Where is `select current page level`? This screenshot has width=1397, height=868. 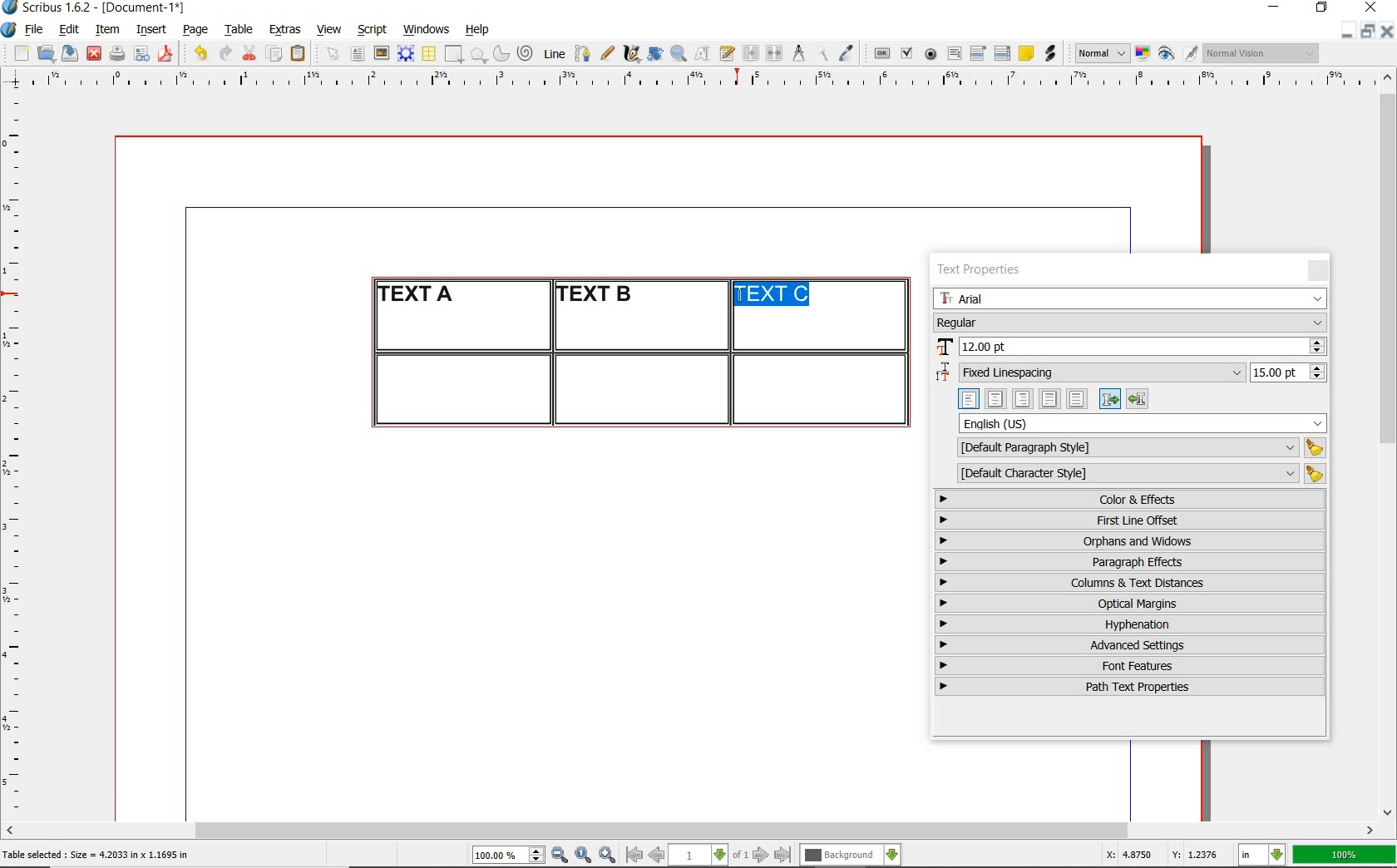 select current page level is located at coordinates (708, 855).